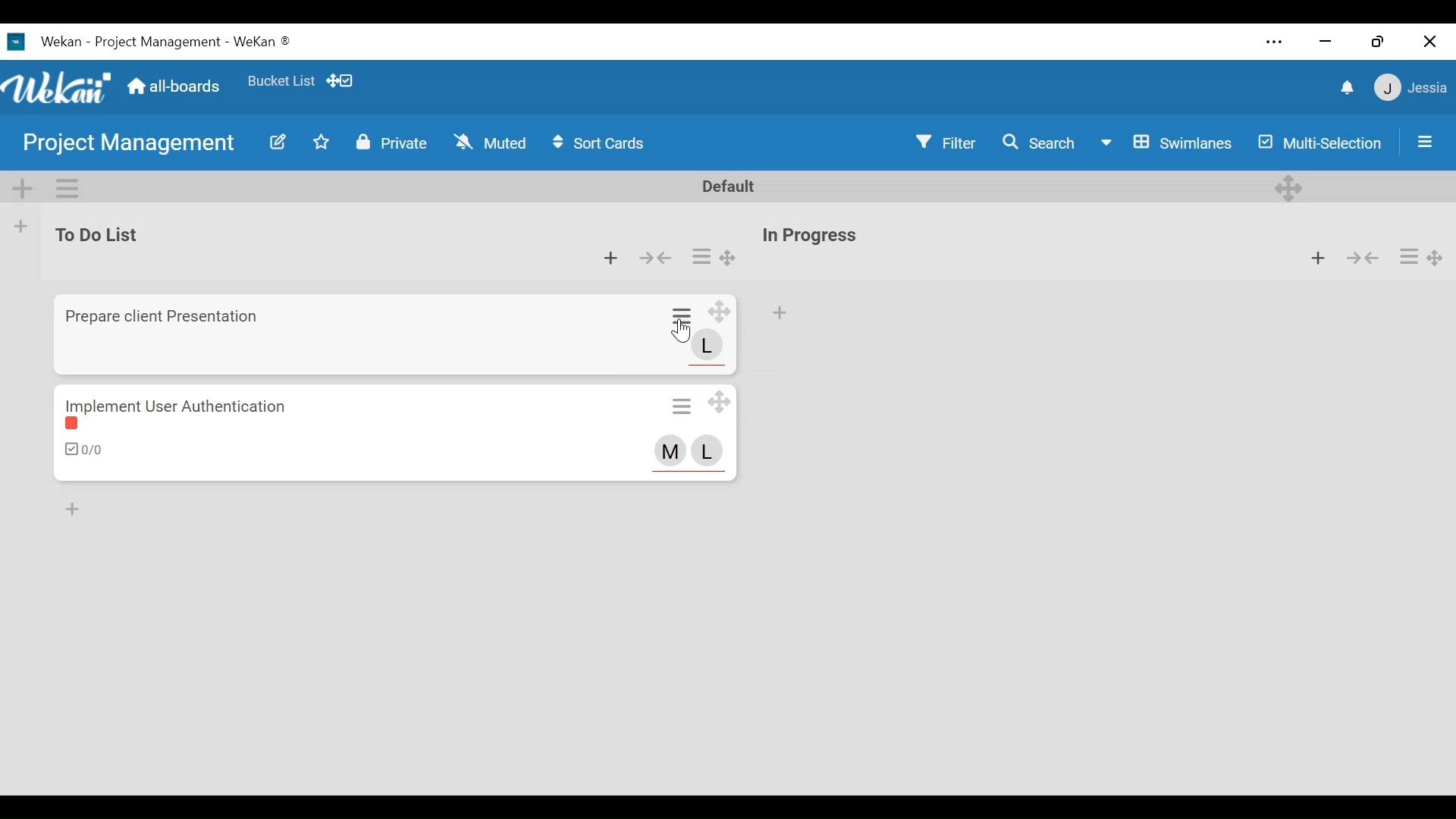 Image resolution: width=1456 pixels, height=819 pixels. What do you see at coordinates (1166, 143) in the screenshot?
I see `Swimlanes` at bounding box center [1166, 143].